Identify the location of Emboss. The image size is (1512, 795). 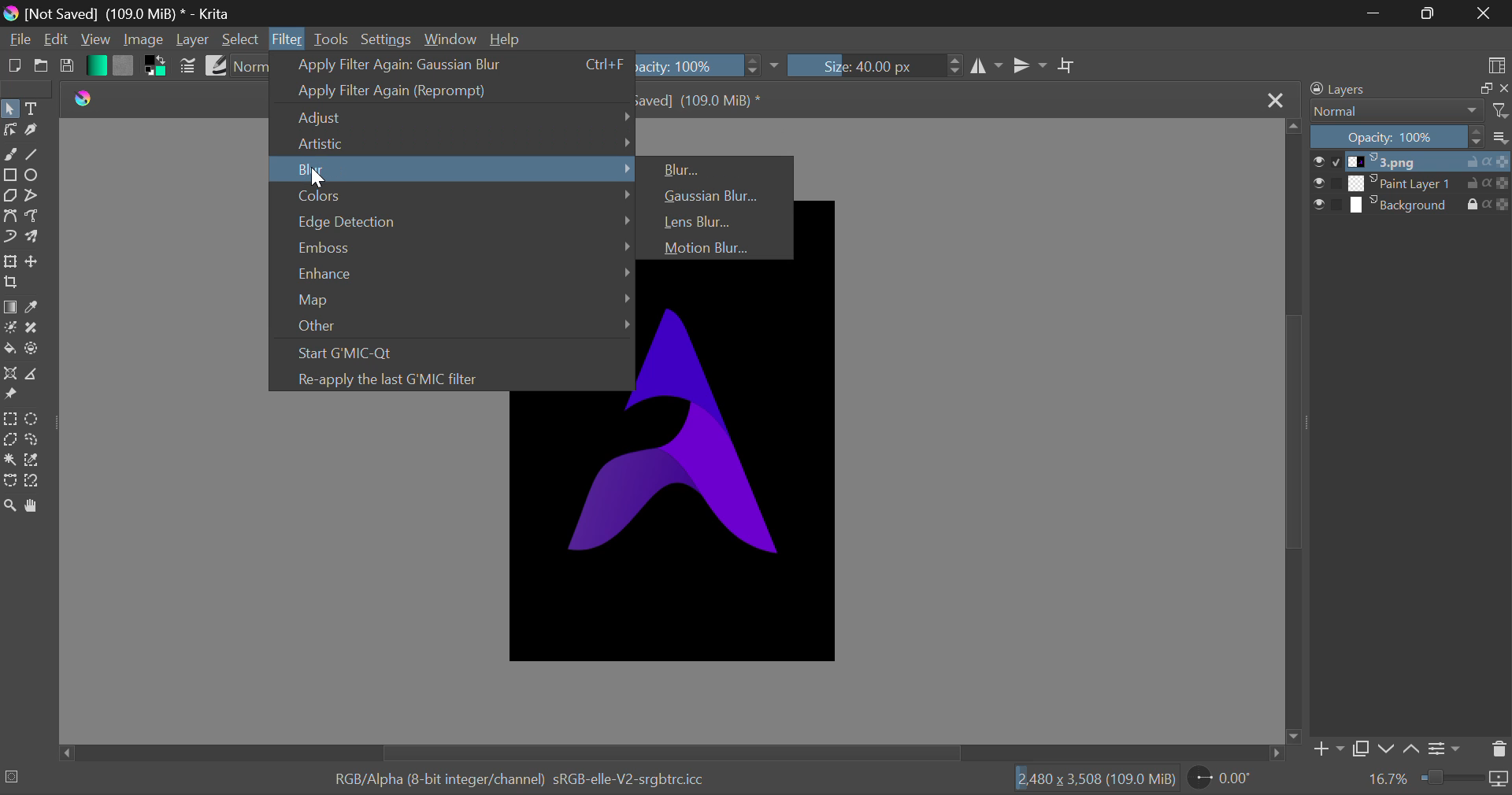
(454, 246).